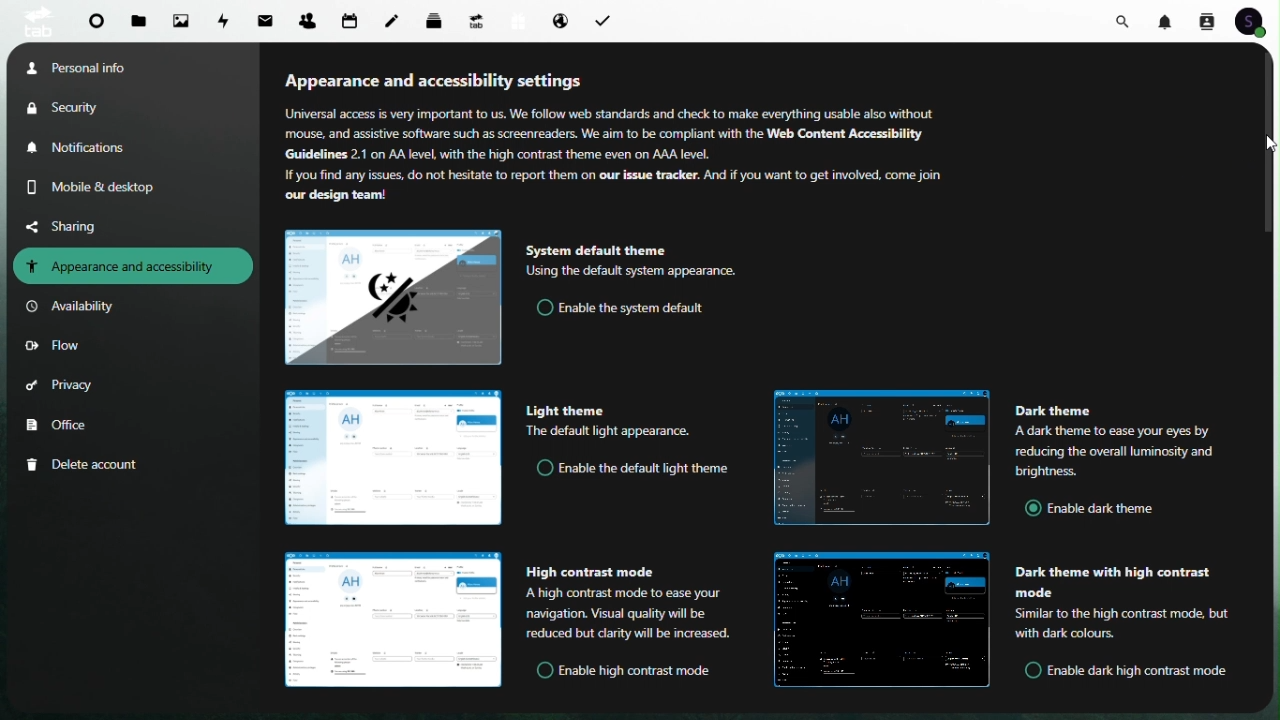 Image resolution: width=1280 pixels, height=720 pixels. I want to click on Web Content Accessibility, so click(849, 134).